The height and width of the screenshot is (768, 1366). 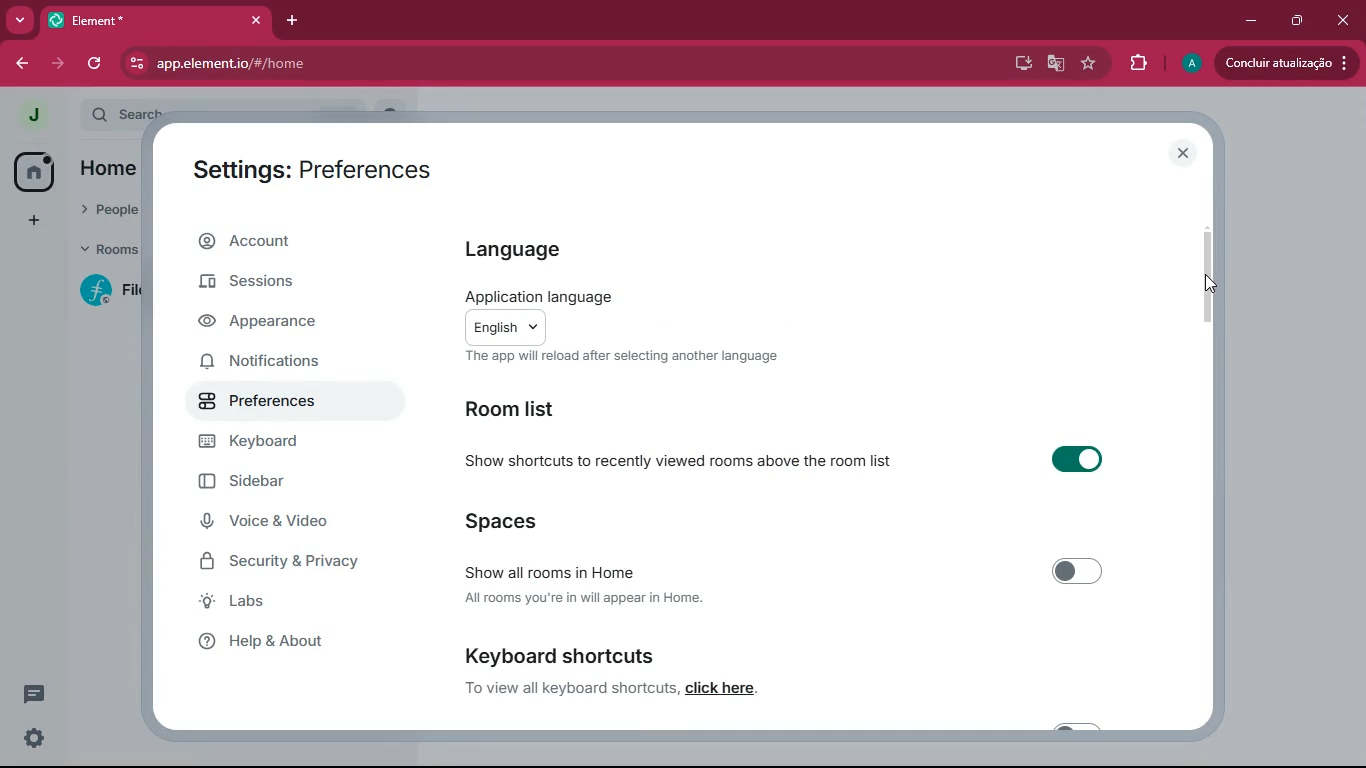 What do you see at coordinates (104, 212) in the screenshot?
I see `people` at bounding box center [104, 212].